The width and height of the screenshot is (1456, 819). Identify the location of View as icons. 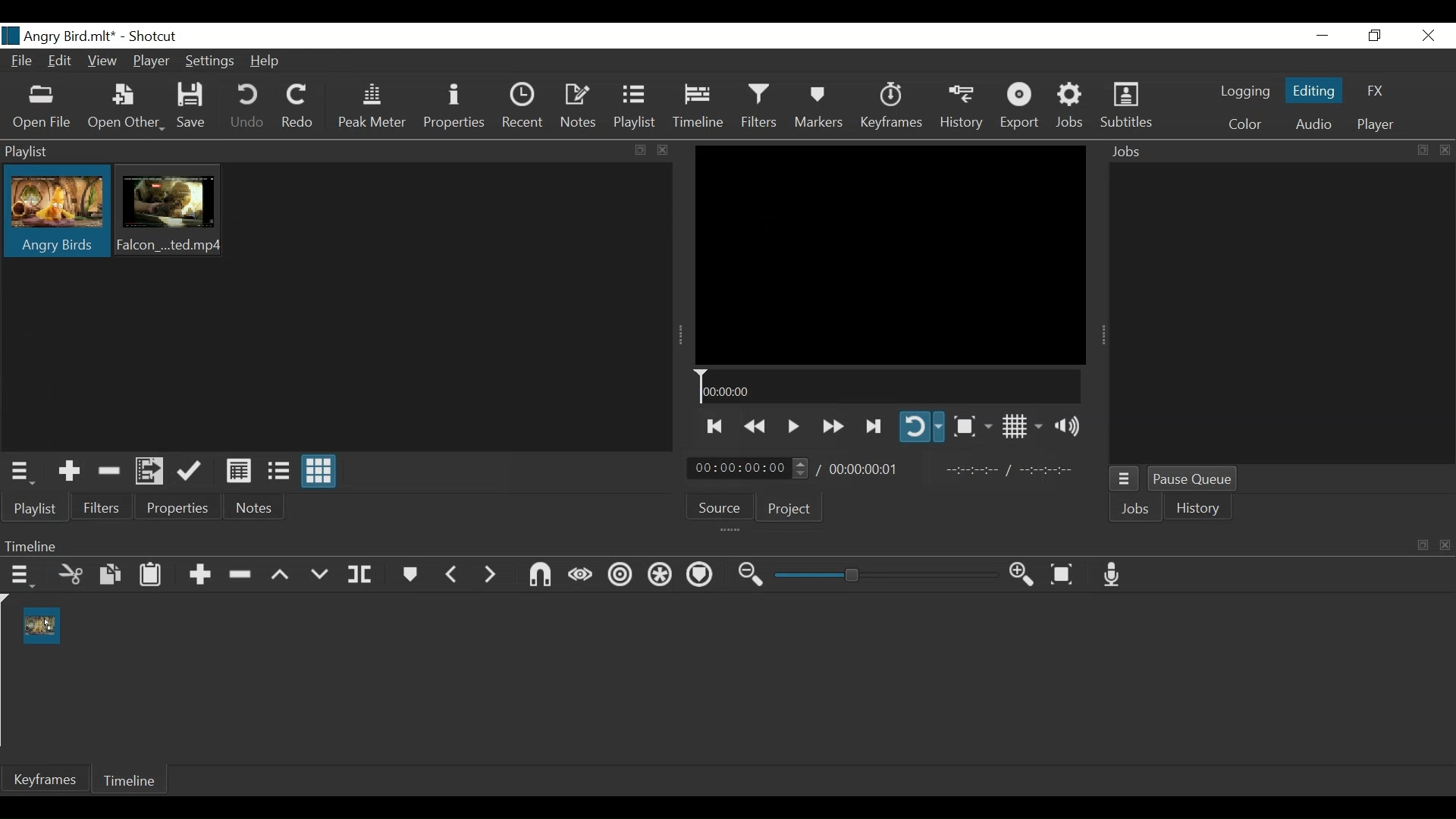
(320, 472).